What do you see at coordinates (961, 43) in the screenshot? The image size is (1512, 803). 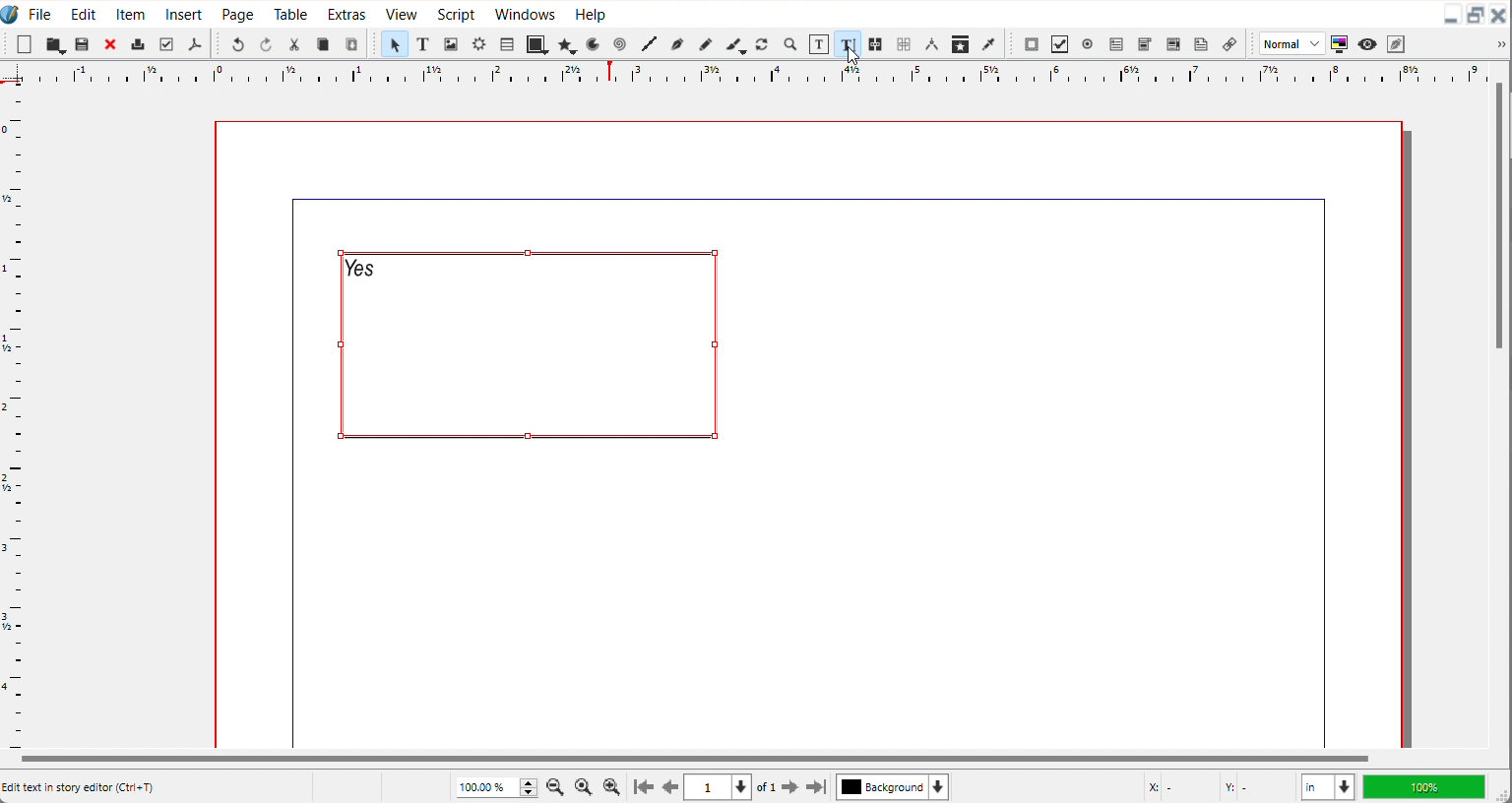 I see `Copy item Properties` at bounding box center [961, 43].